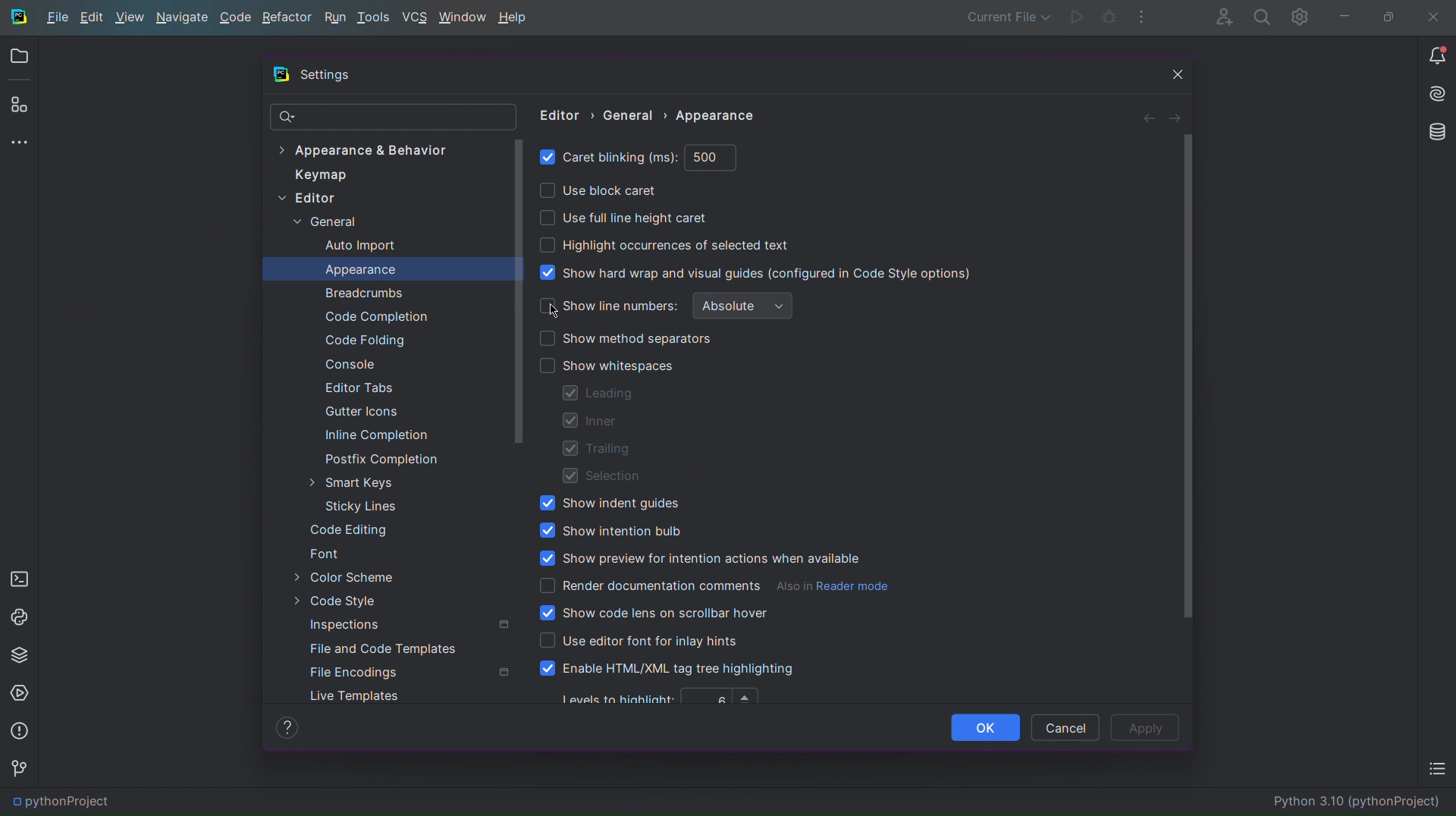  Describe the element at coordinates (356, 673) in the screenshot. I see `File Encodings` at that location.